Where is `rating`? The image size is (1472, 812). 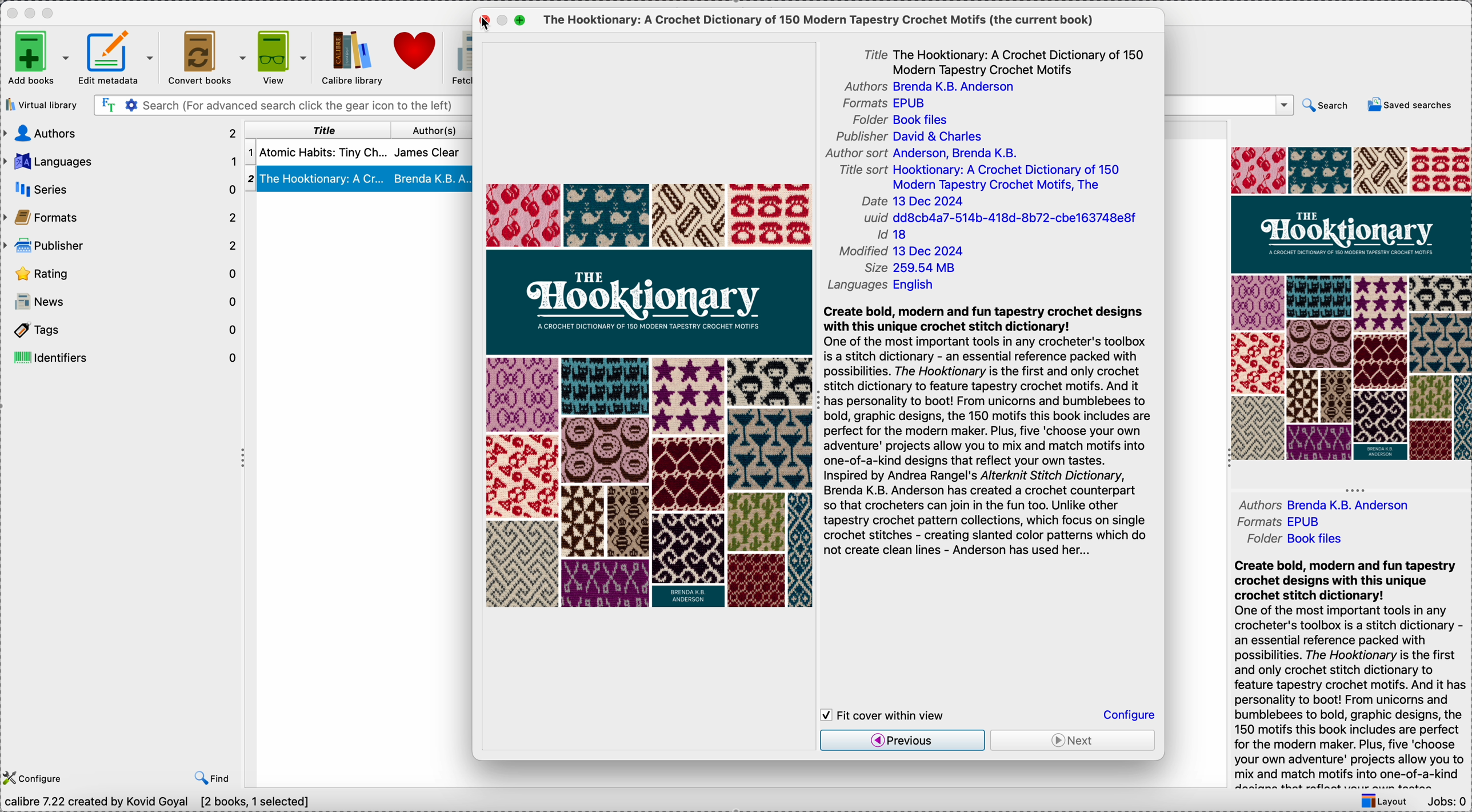
rating is located at coordinates (123, 272).